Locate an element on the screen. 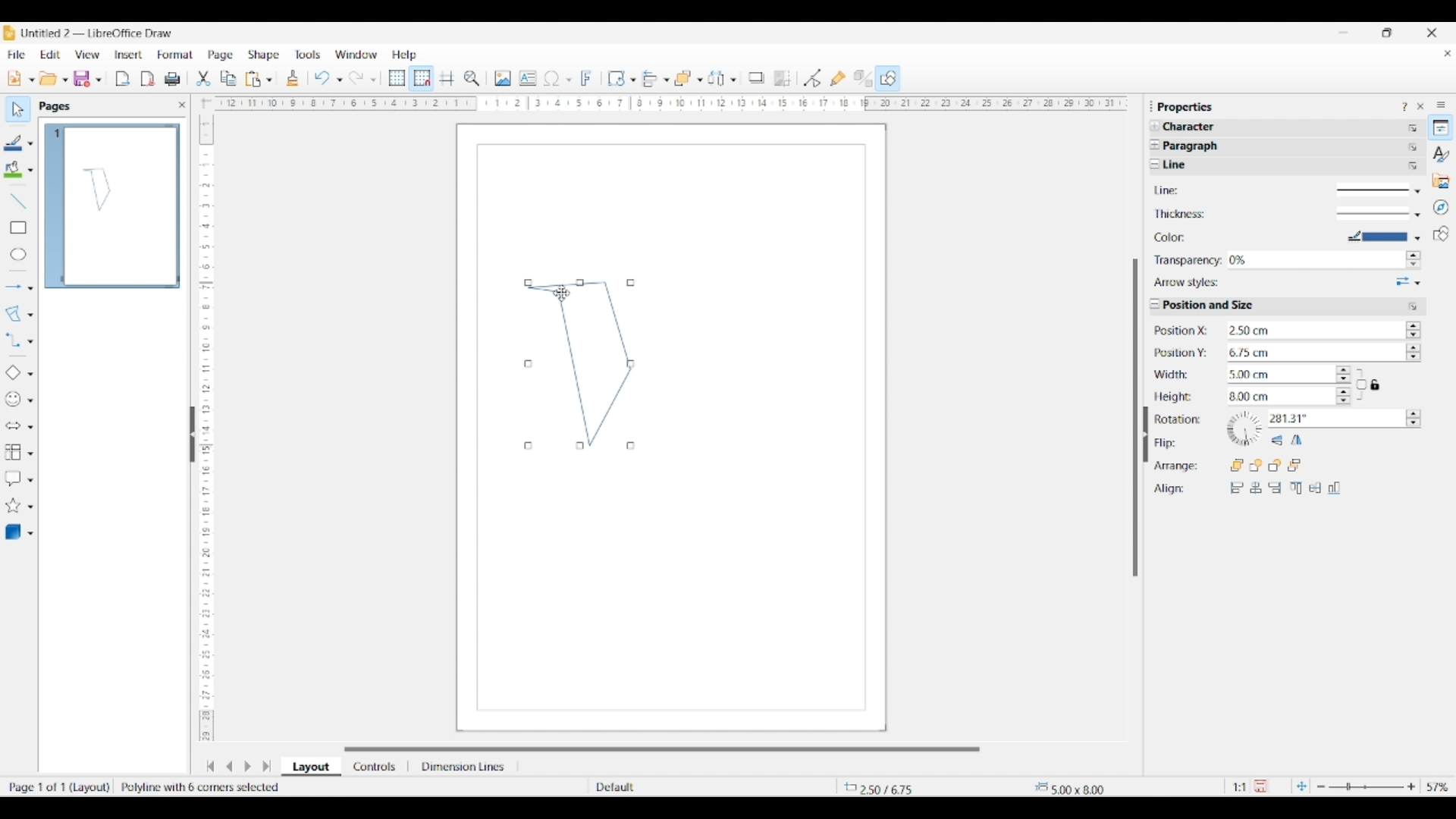 The width and height of the screenshot is (1456, 819). Selected symbol is located at coordinates (14, 400).